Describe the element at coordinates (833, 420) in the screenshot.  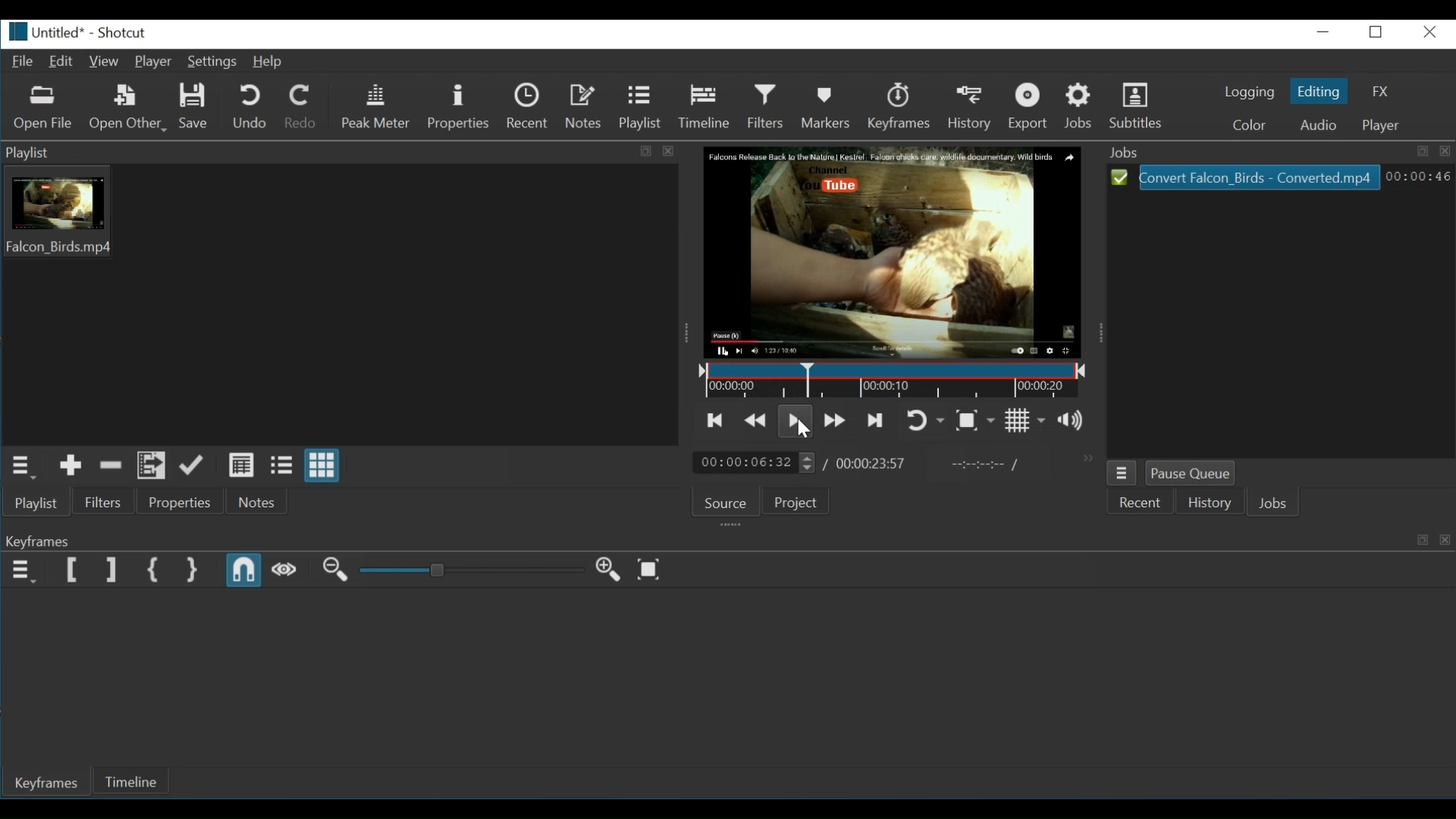
I see `Play quickly forward` at that location.